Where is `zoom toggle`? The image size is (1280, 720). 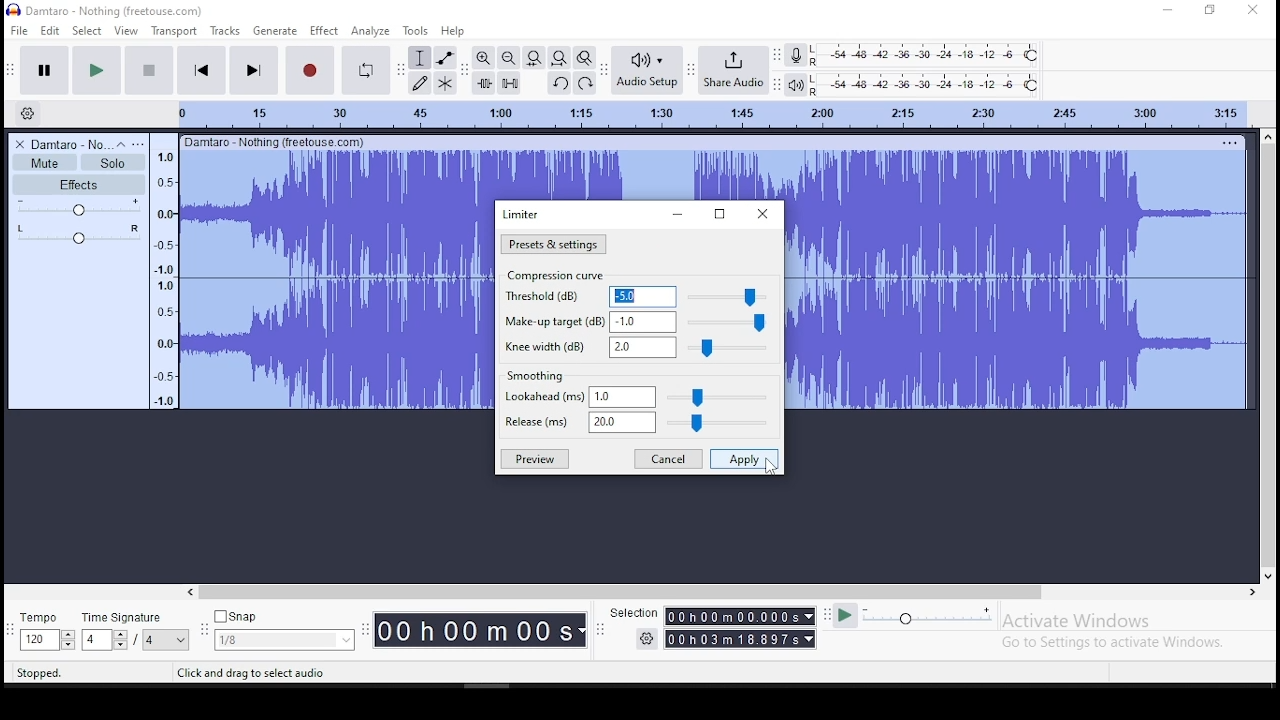 zoom toggle is located at coordinates (584, 57).